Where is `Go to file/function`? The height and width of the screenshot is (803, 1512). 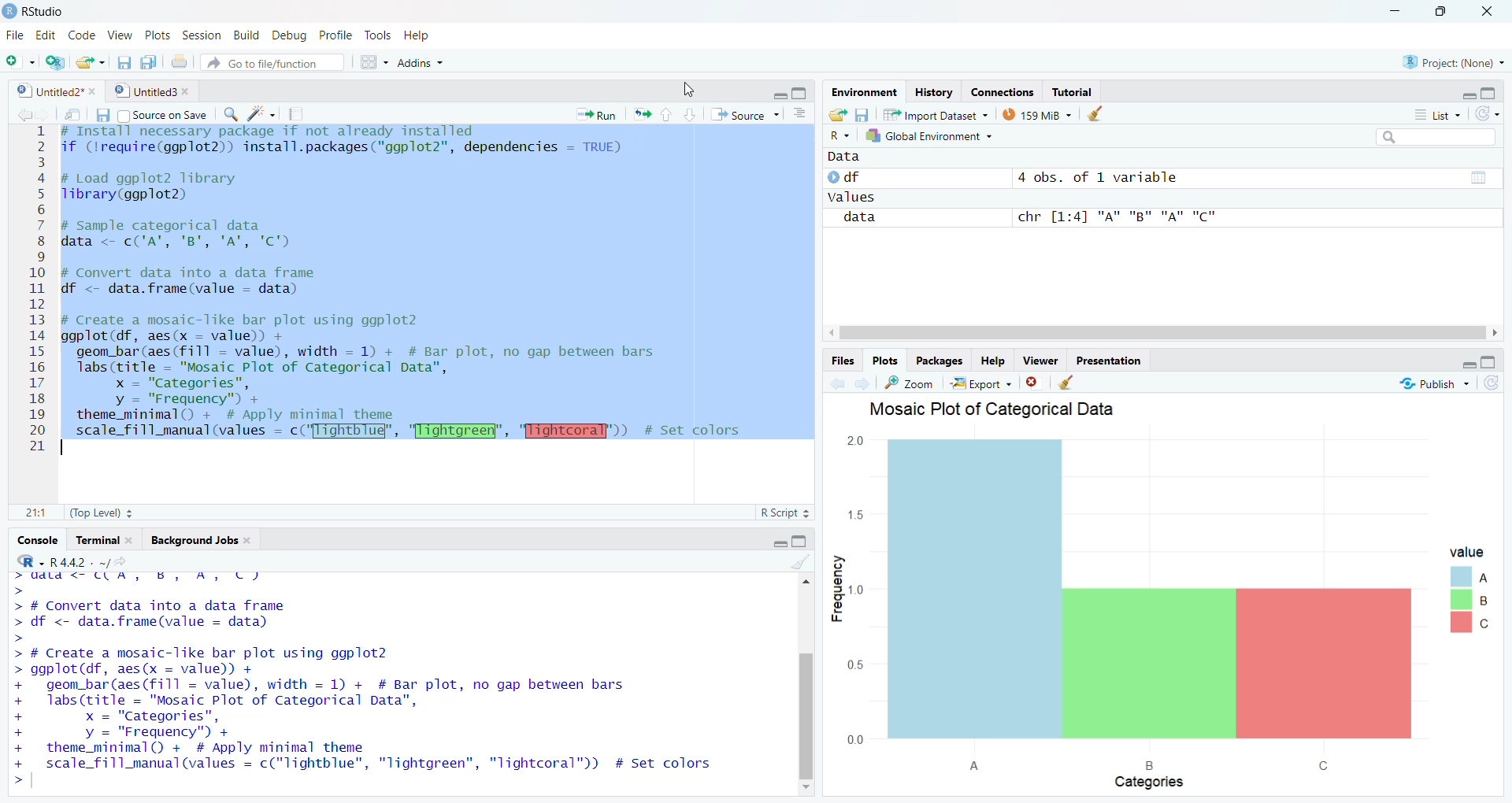 Go to file/function is located at coordinates (271, 65).